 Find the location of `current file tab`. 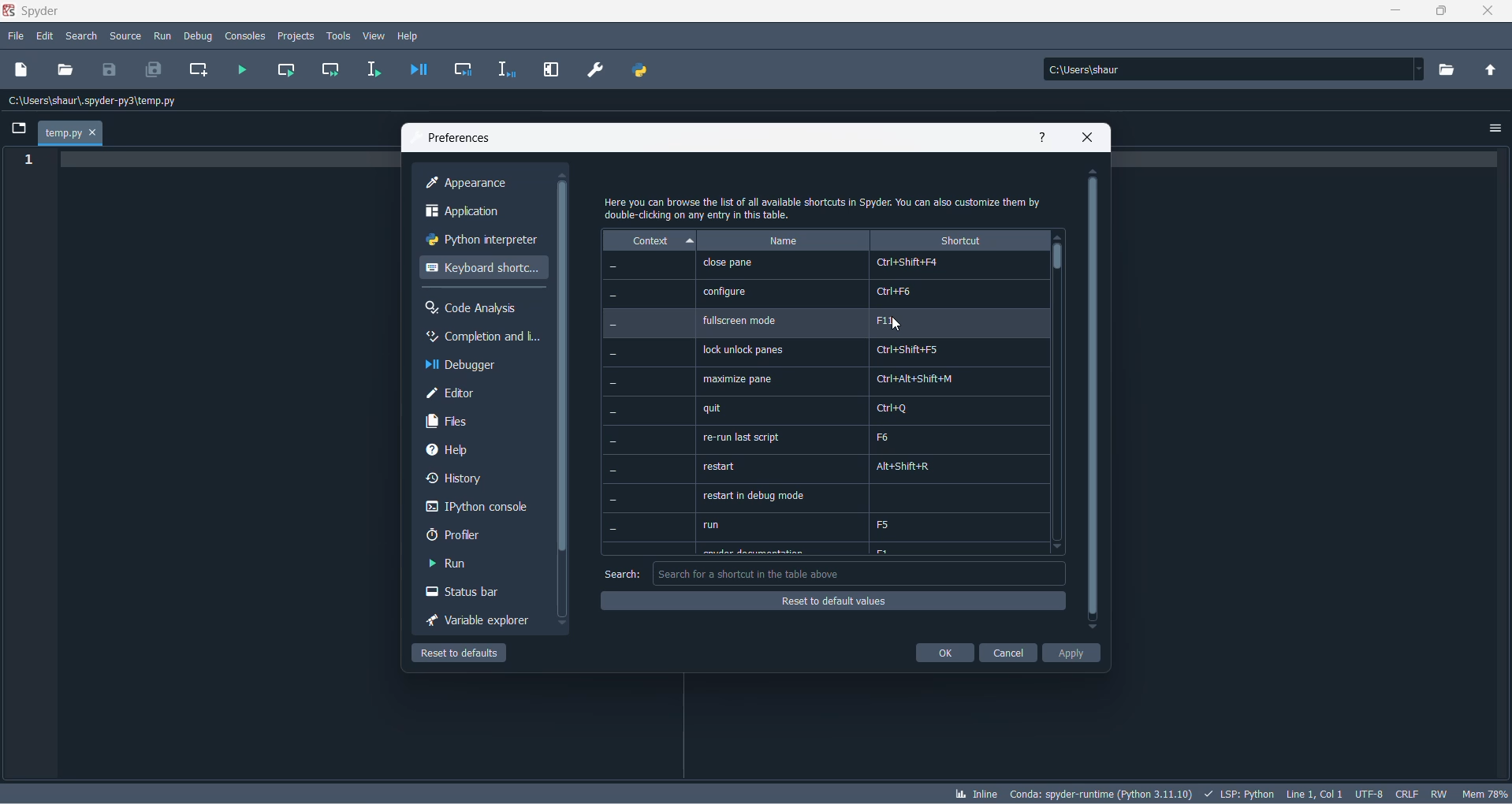

current file tab is located at coordinates (70, 134).